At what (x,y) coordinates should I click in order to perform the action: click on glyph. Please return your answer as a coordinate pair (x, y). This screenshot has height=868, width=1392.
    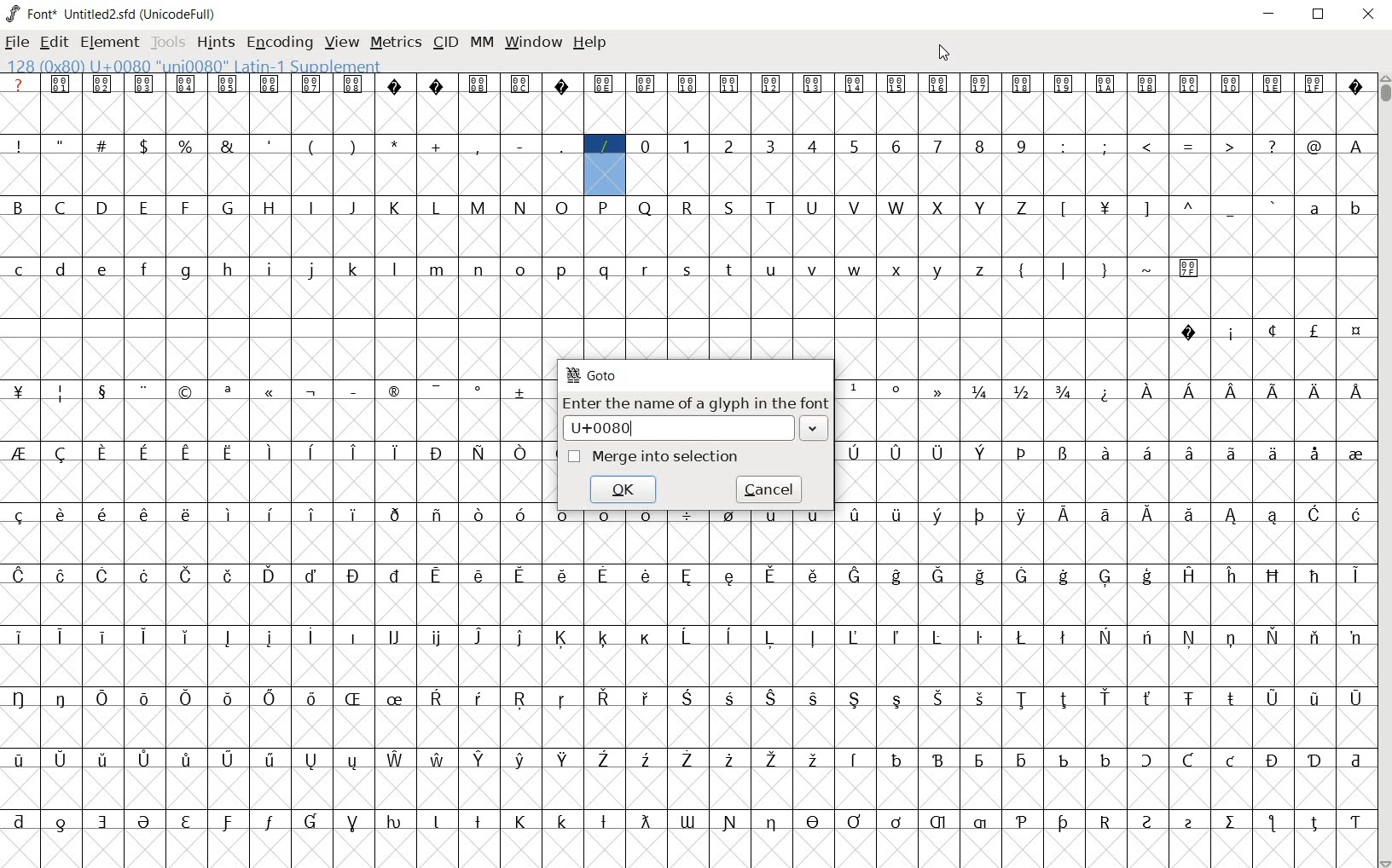
    Looking at the image, I should click on (1189, 391).